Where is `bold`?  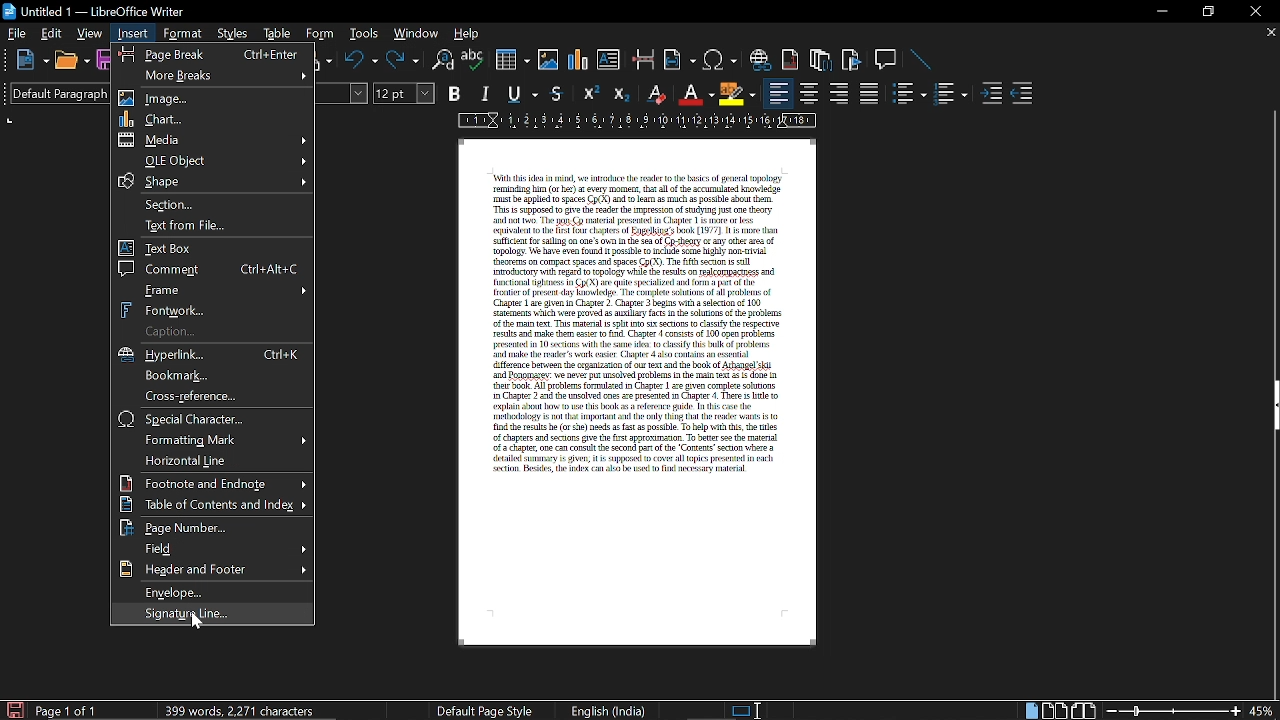
bold is located at coordinates (456, 93).